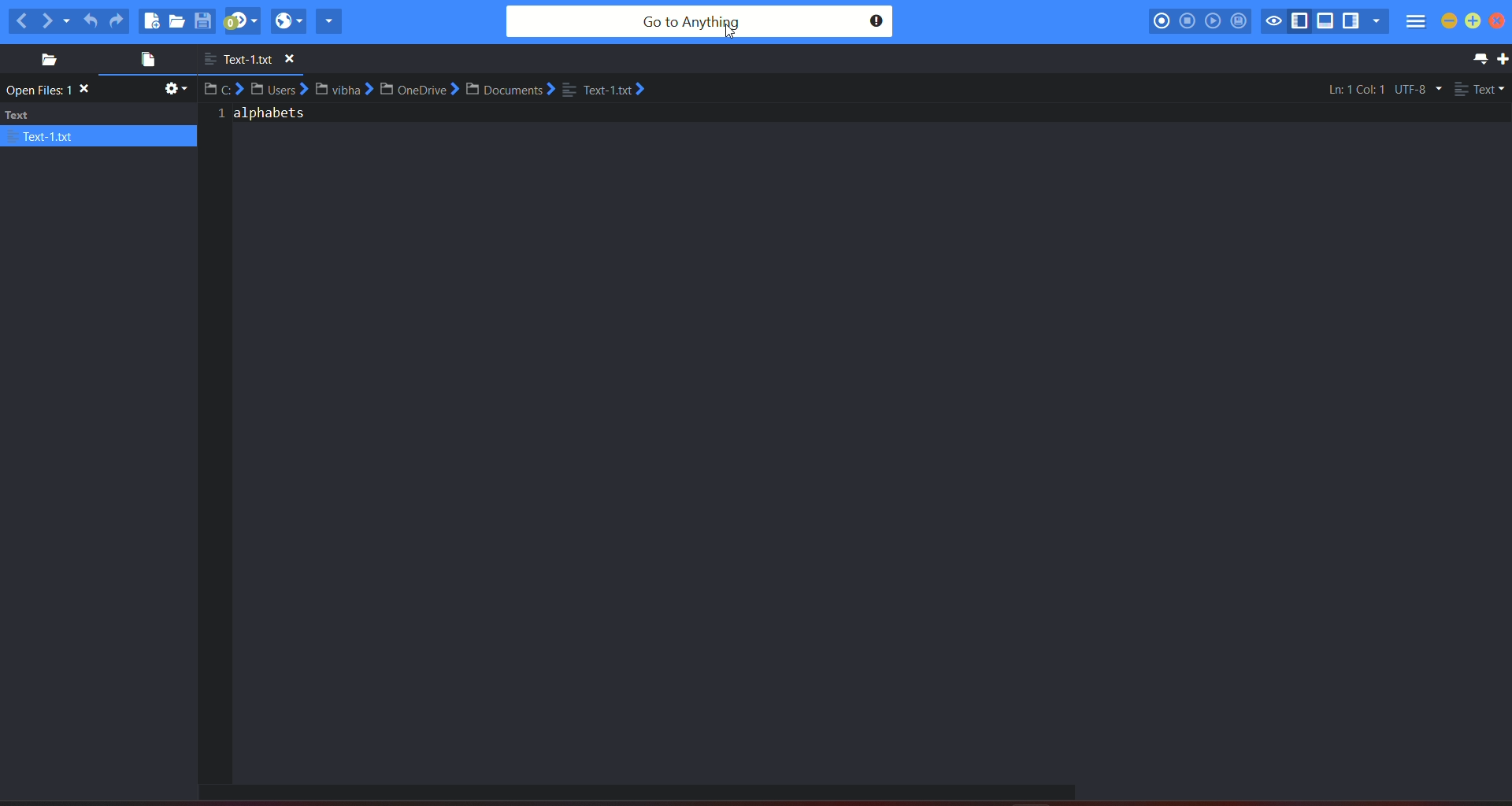 This screenshot has height=806, width=1512. Describe the element at coordinates (43, 60) in the screenshot. I see `places` at that location.